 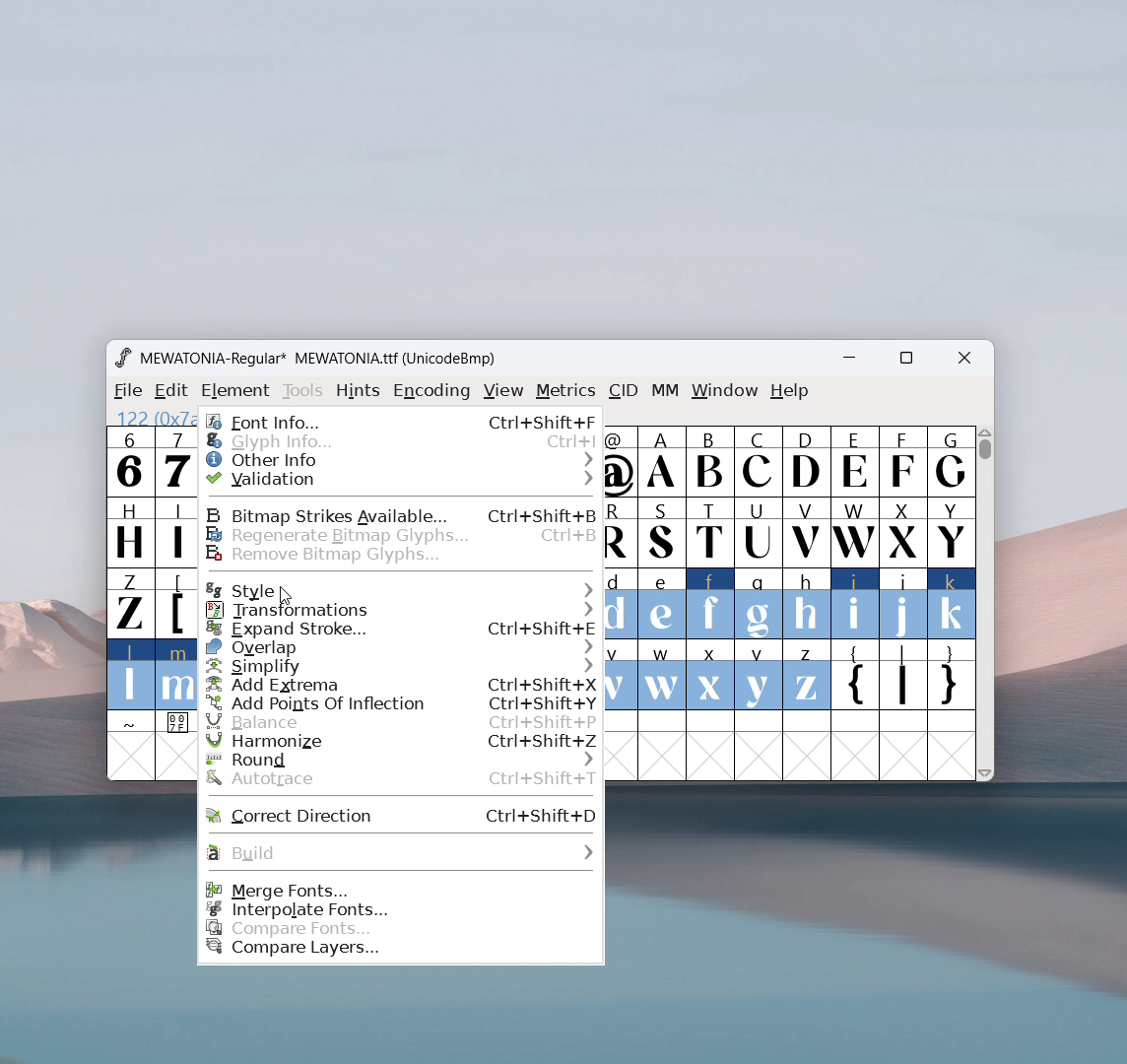 What do you see at coordinates (711, 603) in the screenshot?
I see `f` at bounding box center [711, 603].